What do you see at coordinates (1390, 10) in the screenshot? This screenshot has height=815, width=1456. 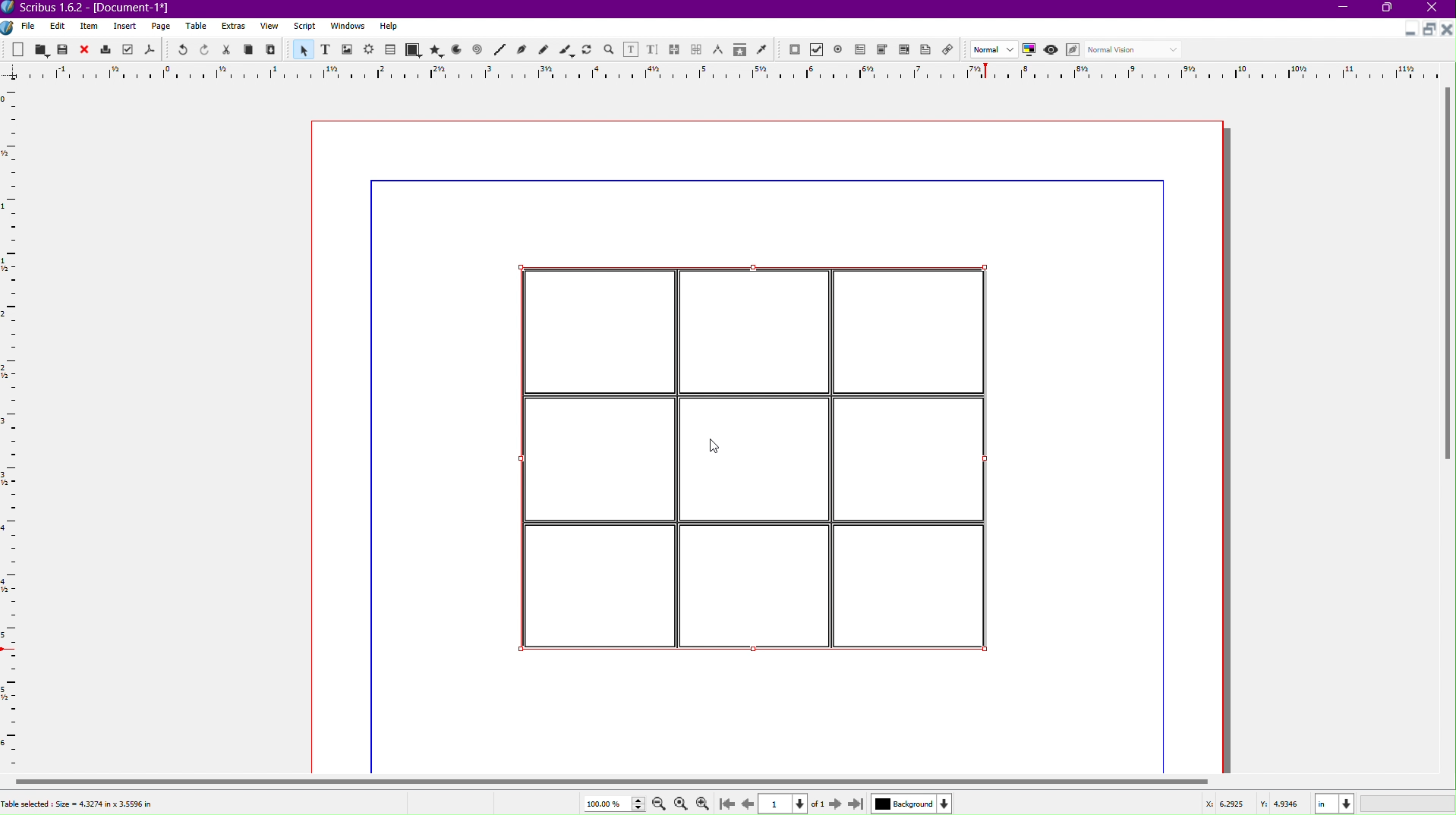 I see `Maximize` at bounding box center [1390, 10].